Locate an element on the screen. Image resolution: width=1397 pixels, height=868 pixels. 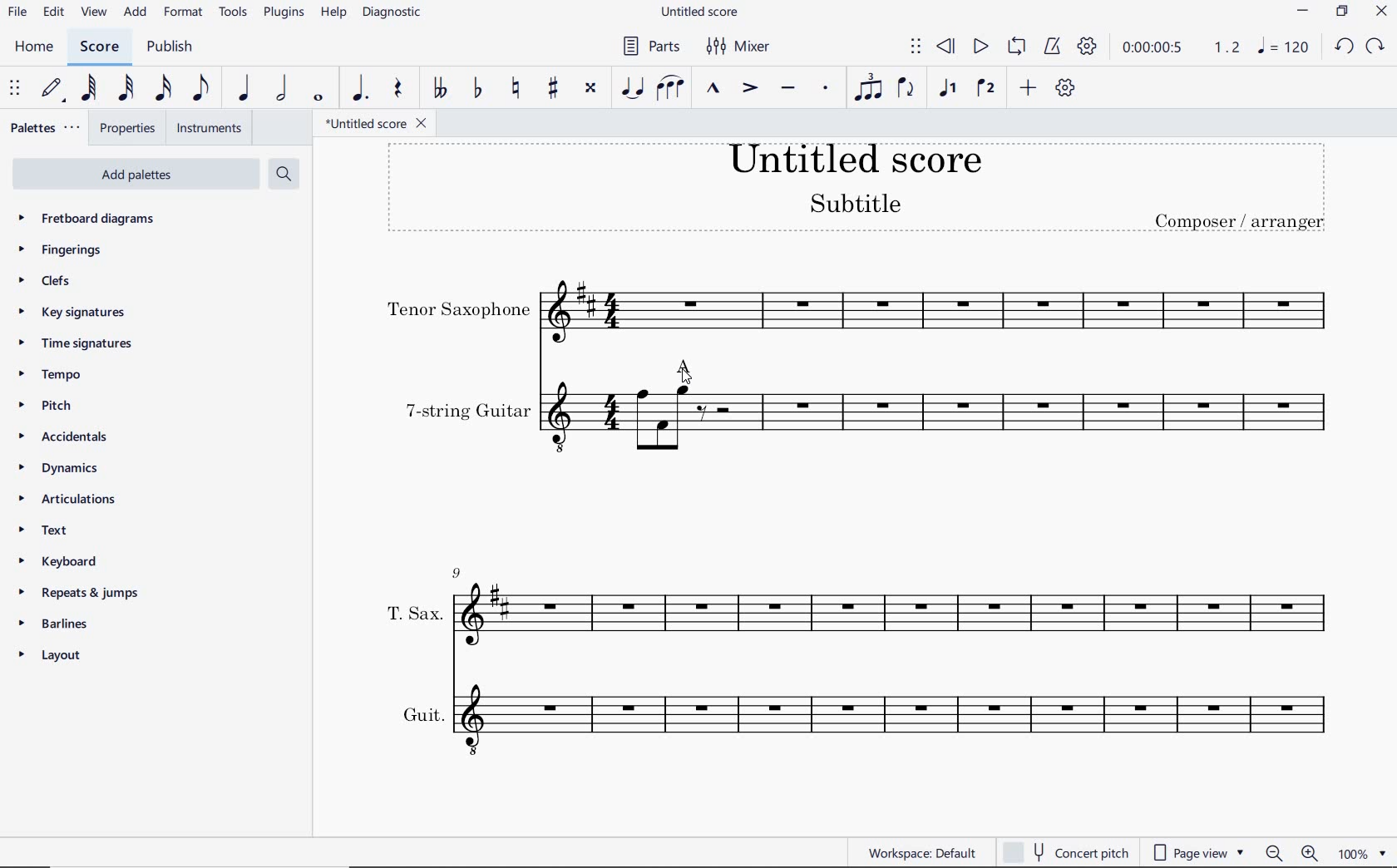
ADD is located at coordinates (1028, 88).